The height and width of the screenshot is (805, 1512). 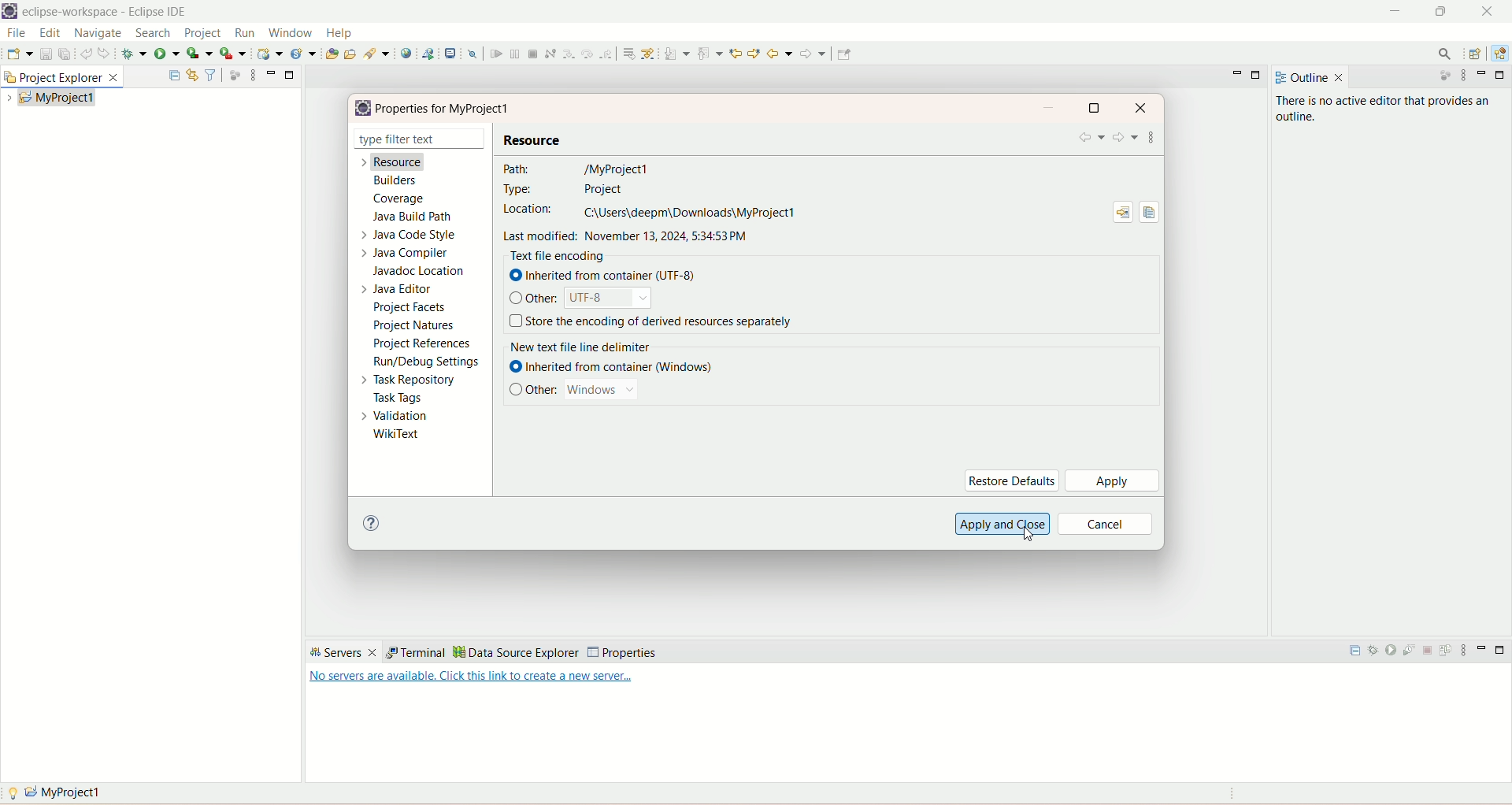 What do you see at coordinates (400, 435) in the screenshot?
I see `wikitext` at bounding box center [400, 435].